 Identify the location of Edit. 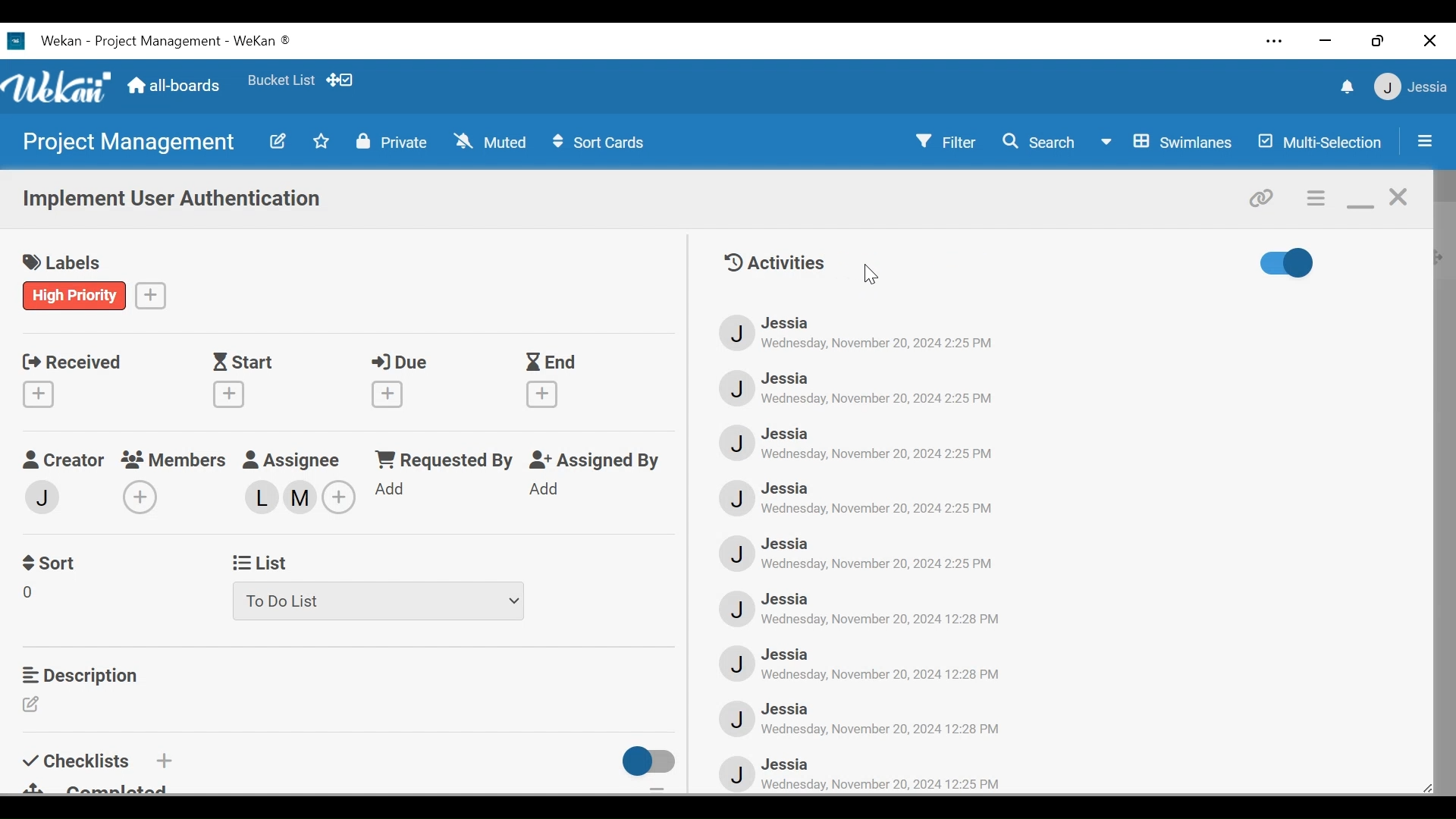
(36, 707).